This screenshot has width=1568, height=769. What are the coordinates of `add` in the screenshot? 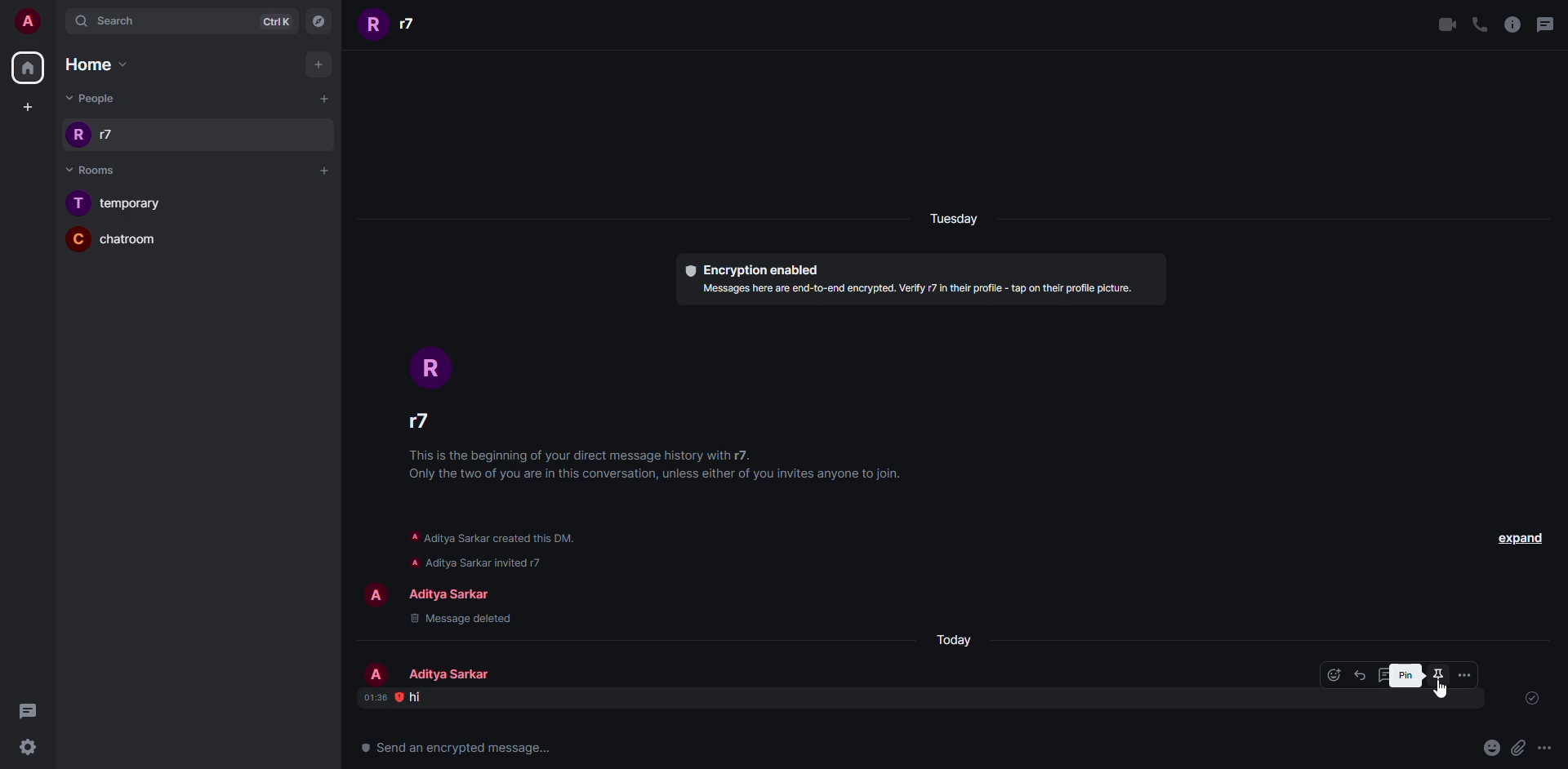 It's located at (318, 61).